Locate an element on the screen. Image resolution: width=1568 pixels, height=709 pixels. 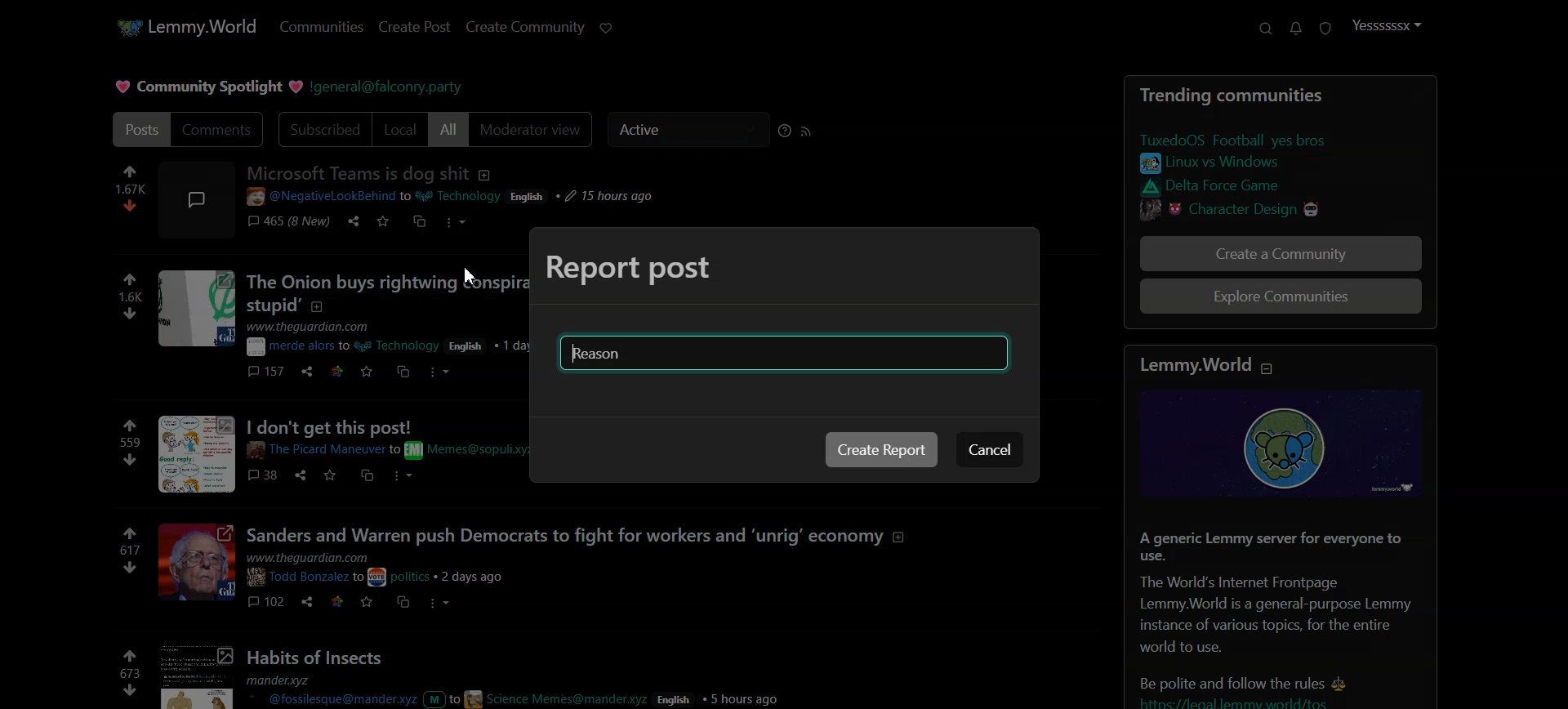
cs is located at coordinates (421, 225).